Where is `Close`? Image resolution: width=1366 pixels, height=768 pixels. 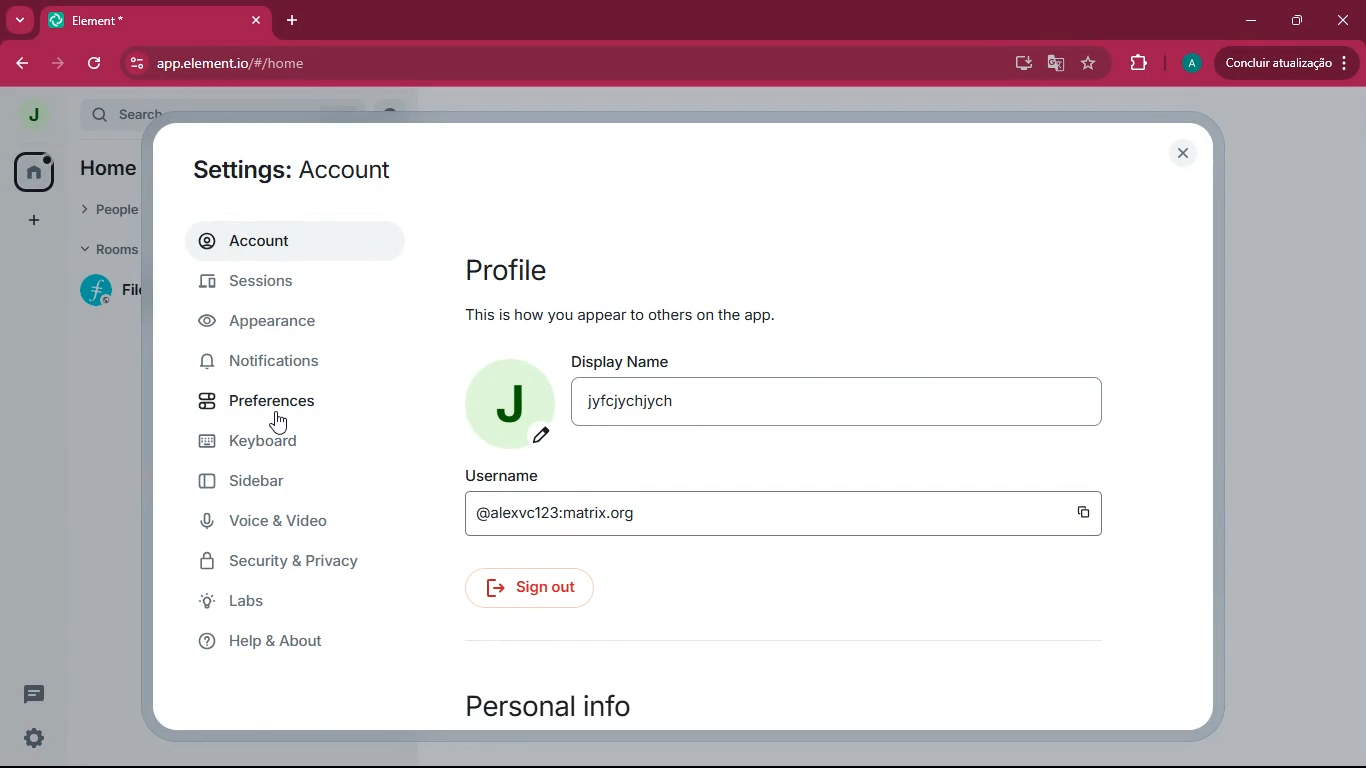
Close is located at coordinates (1344, 20).